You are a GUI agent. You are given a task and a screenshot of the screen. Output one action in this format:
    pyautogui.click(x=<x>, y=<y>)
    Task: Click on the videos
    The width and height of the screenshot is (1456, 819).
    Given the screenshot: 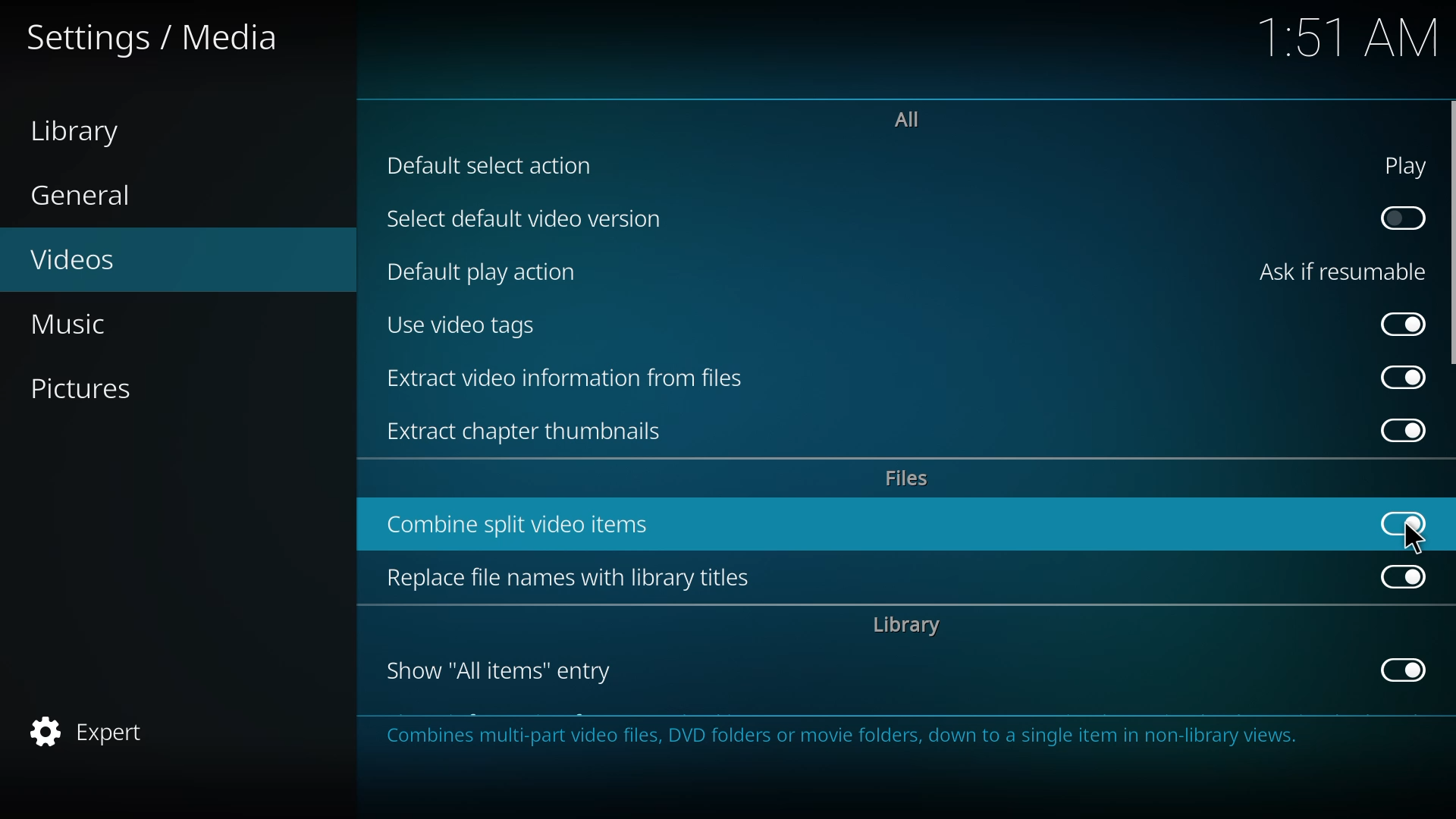 What is the action you would take?
    pyautogui.click(x=88, y=256)
    